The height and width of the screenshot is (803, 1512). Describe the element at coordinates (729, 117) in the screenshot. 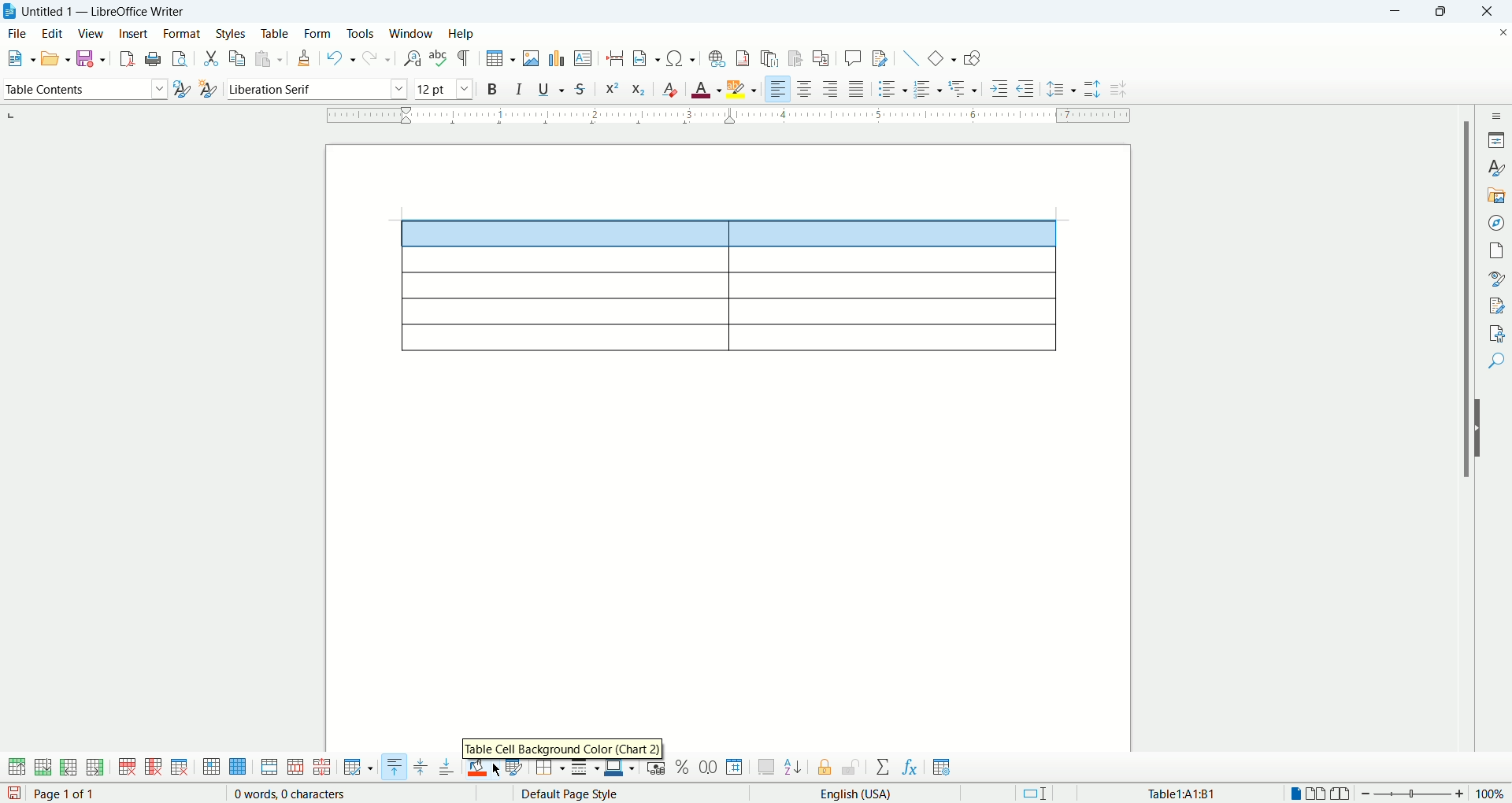

I see `border` at that location.